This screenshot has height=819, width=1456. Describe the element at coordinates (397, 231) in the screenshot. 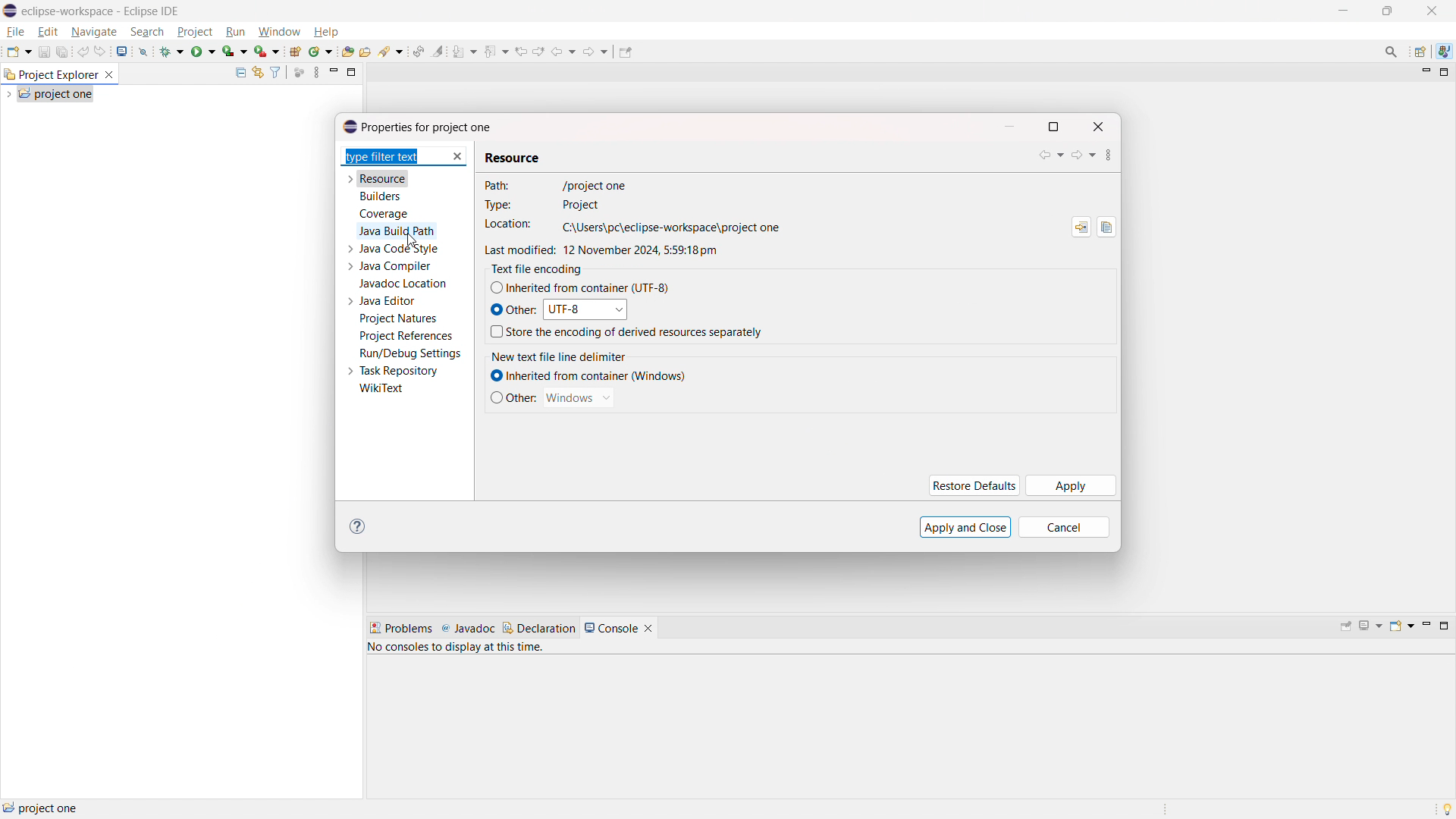

I see `java build path` at that location.